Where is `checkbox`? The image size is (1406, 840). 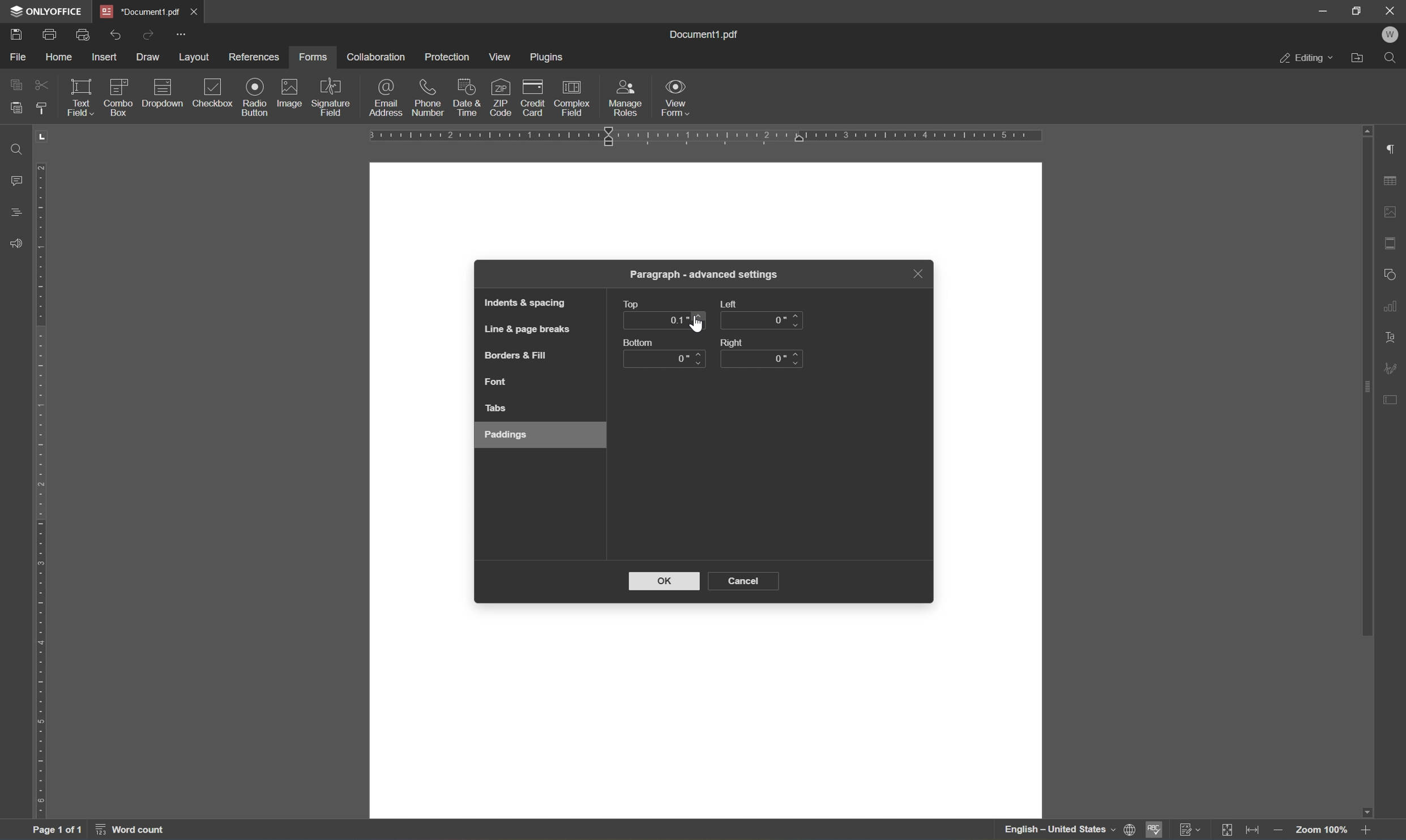
checkbox is located at coordinates (215, 93).